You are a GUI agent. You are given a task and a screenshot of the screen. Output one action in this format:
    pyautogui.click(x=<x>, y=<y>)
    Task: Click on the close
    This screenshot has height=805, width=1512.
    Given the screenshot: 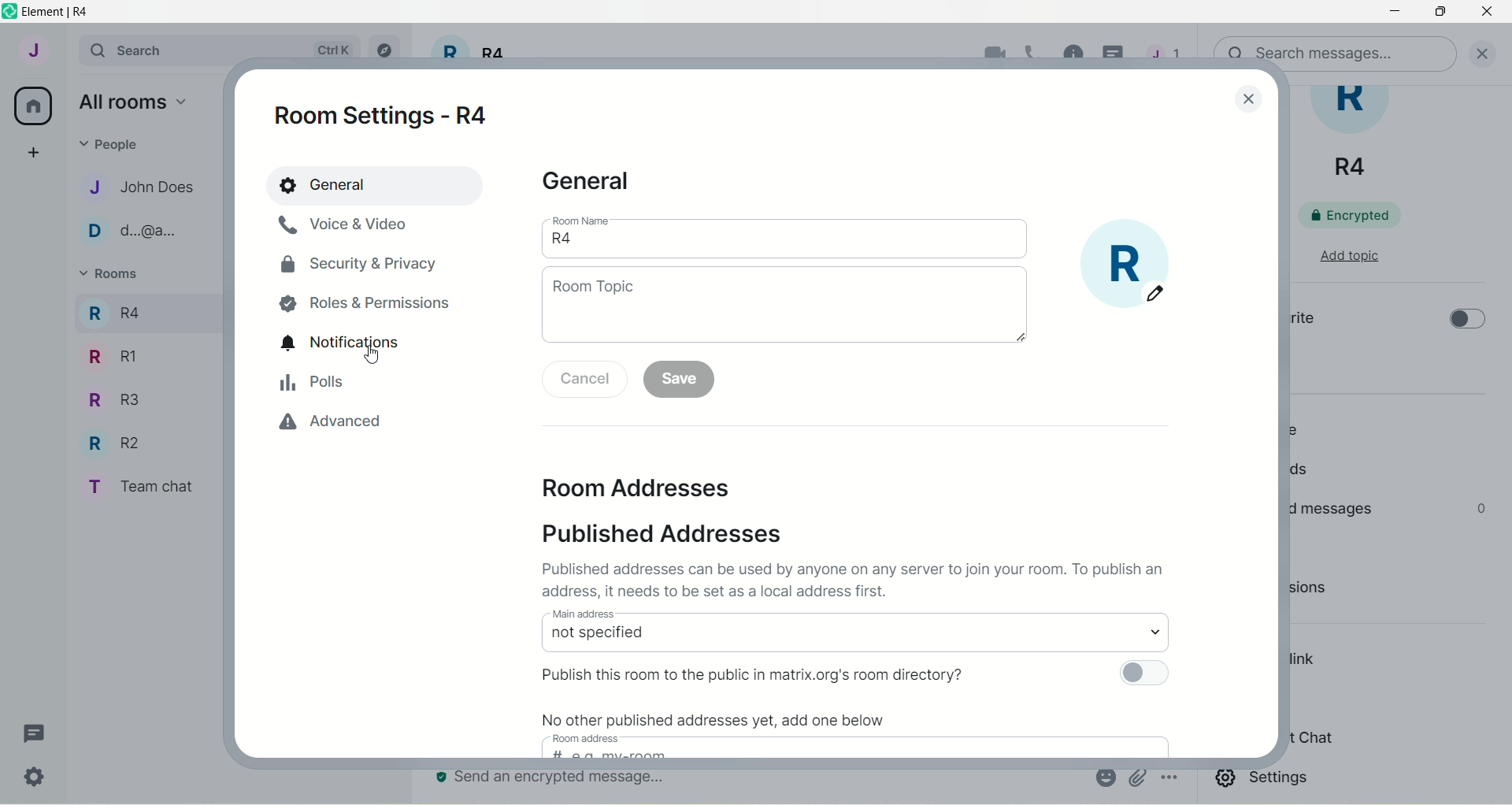 What is the action you would take?
    pyautogui.click(x=1488, y=52)
    